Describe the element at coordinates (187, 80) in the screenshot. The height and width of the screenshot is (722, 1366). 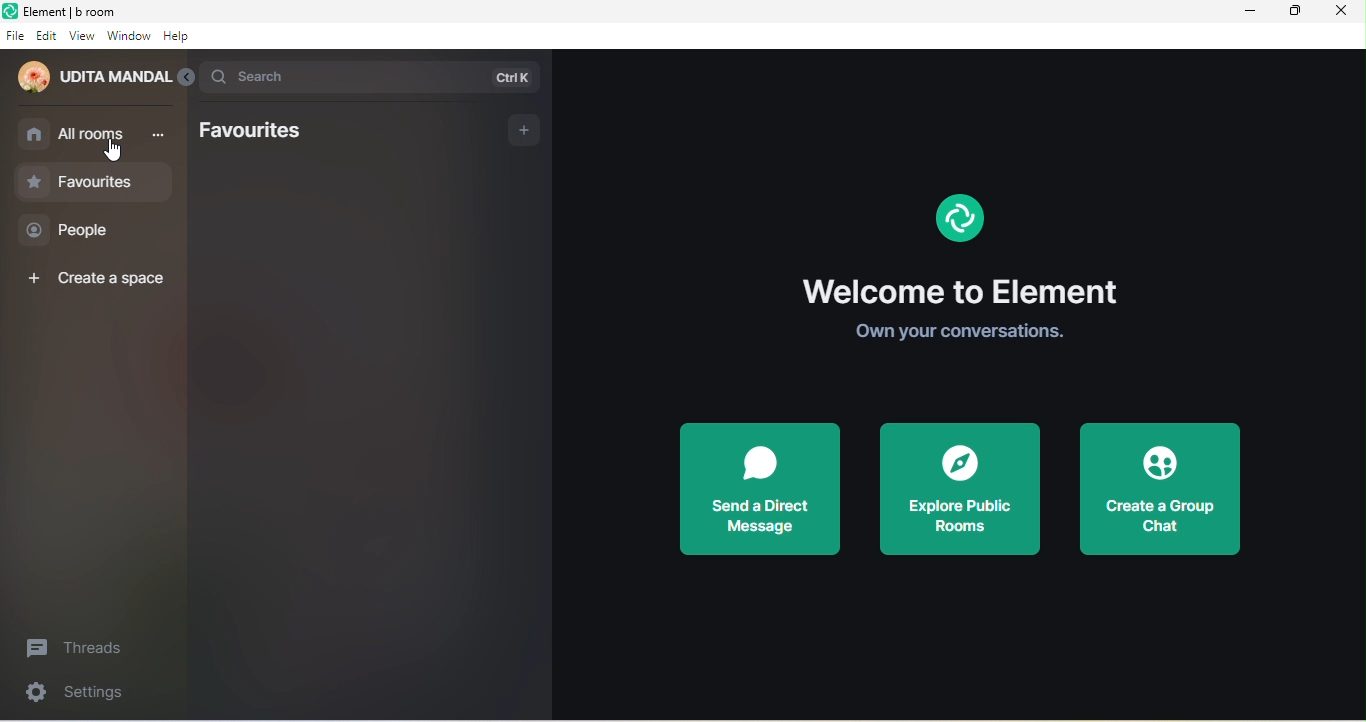
I see `collapse` at that location.